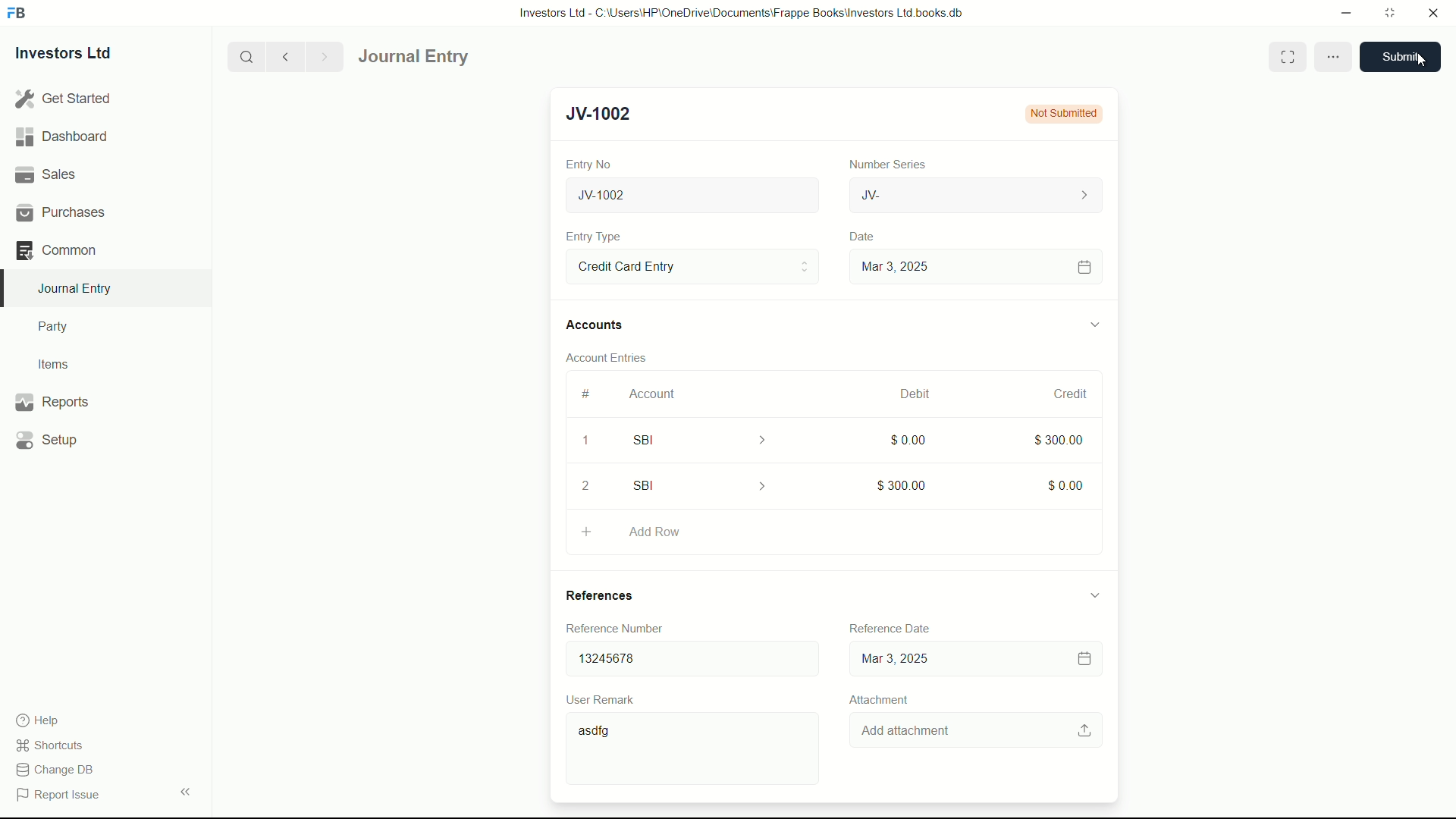 The image size is (1456, 819). I want to click on New Entry, so click(605, 114).